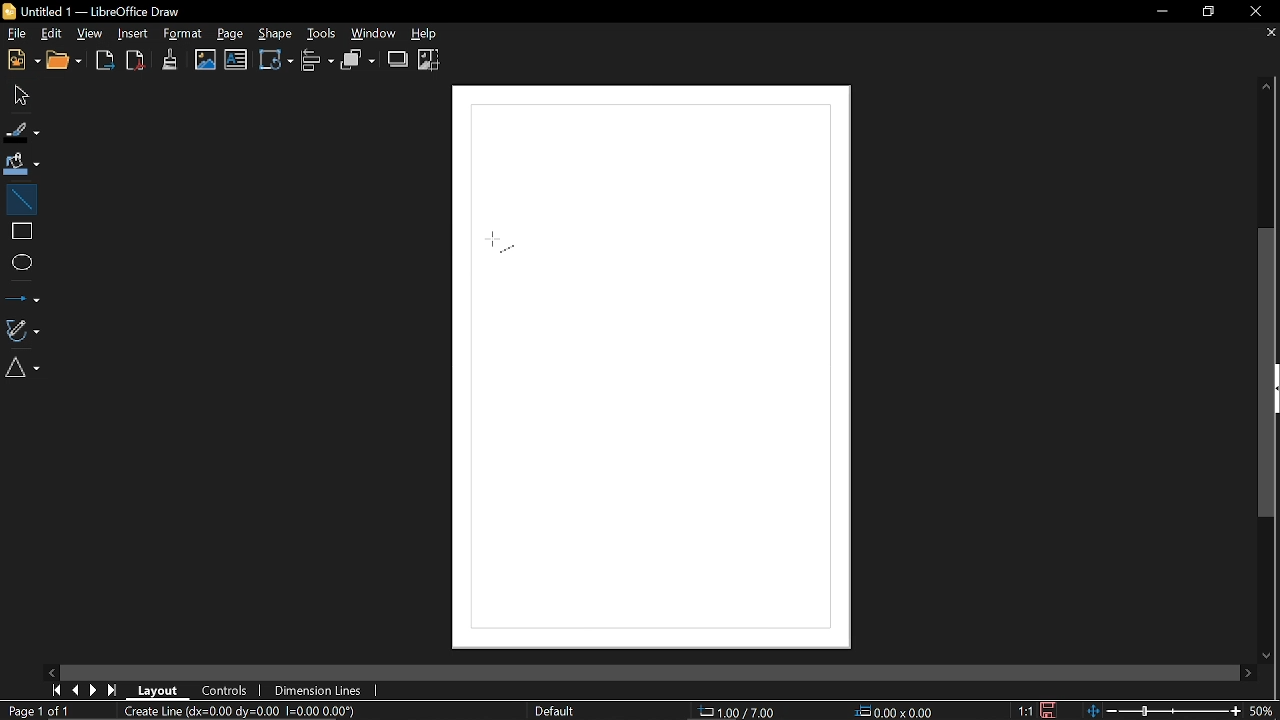  Describe the element at coordinates (206, 60) in the screenshot. I see `Insert image` at that location.